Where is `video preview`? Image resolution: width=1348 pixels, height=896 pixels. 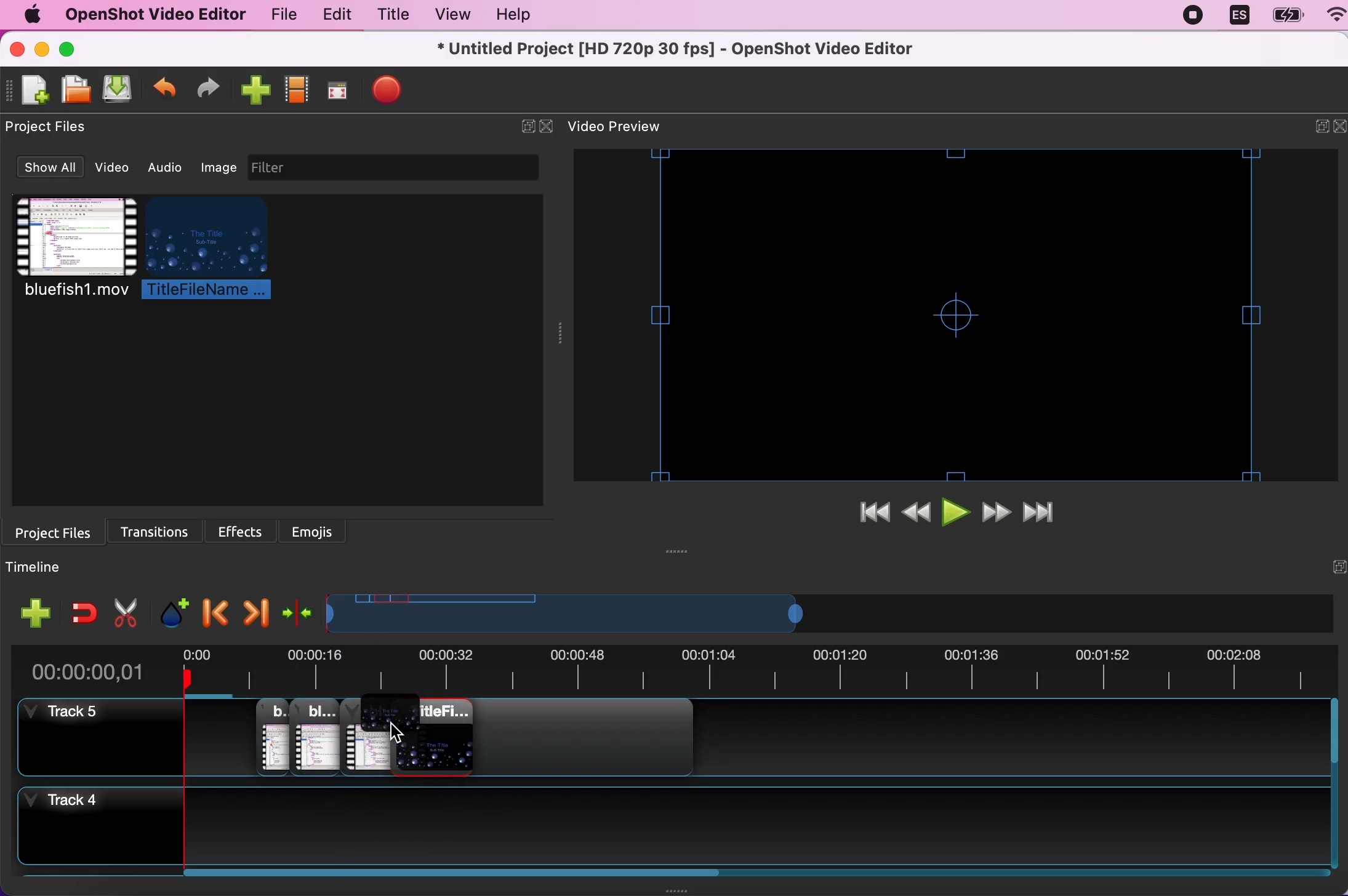 video preview is located at coordinates (960, 315).